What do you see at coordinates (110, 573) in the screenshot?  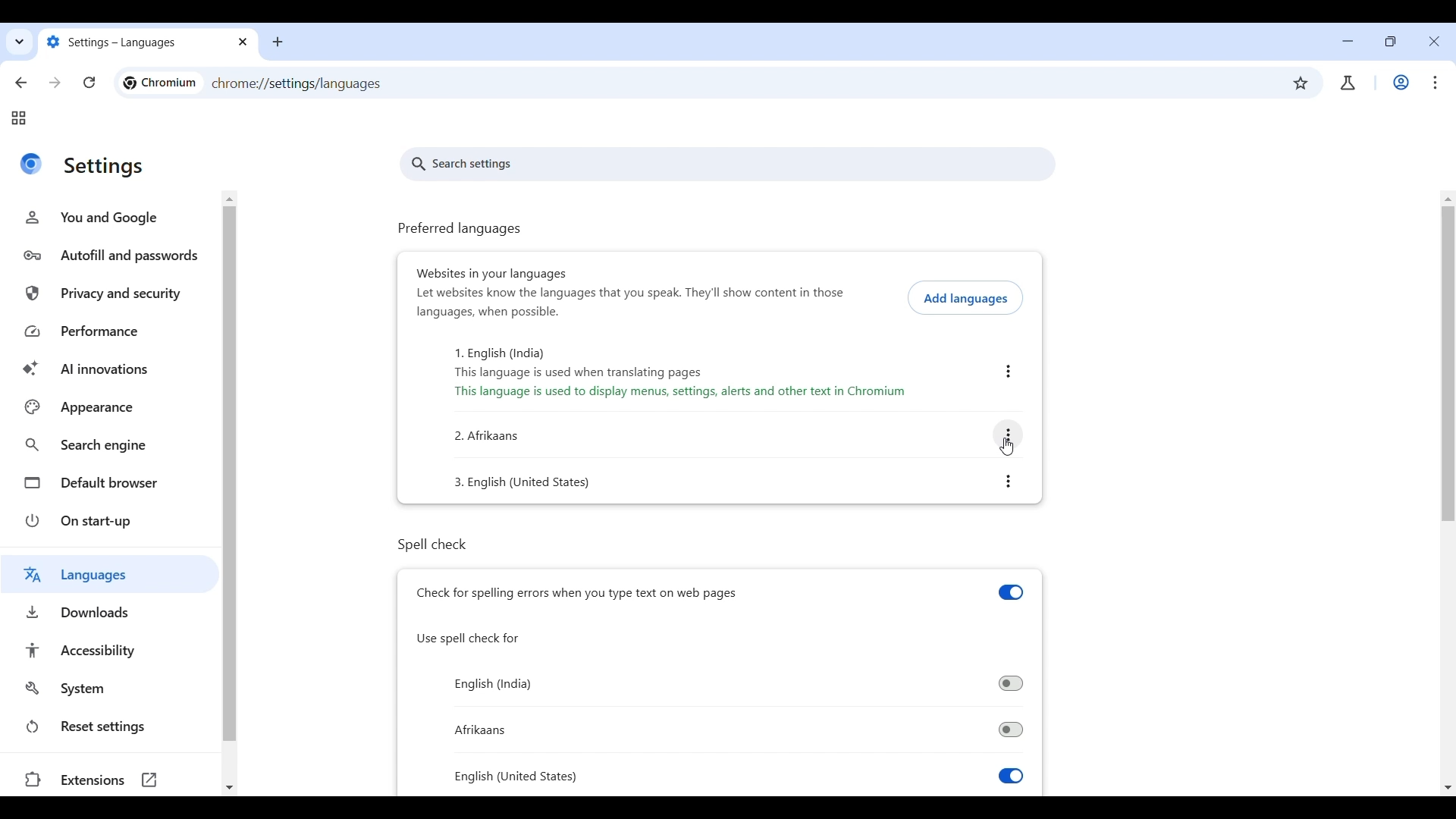 I see `Languages highlighted` at bounding box center [110, 573].